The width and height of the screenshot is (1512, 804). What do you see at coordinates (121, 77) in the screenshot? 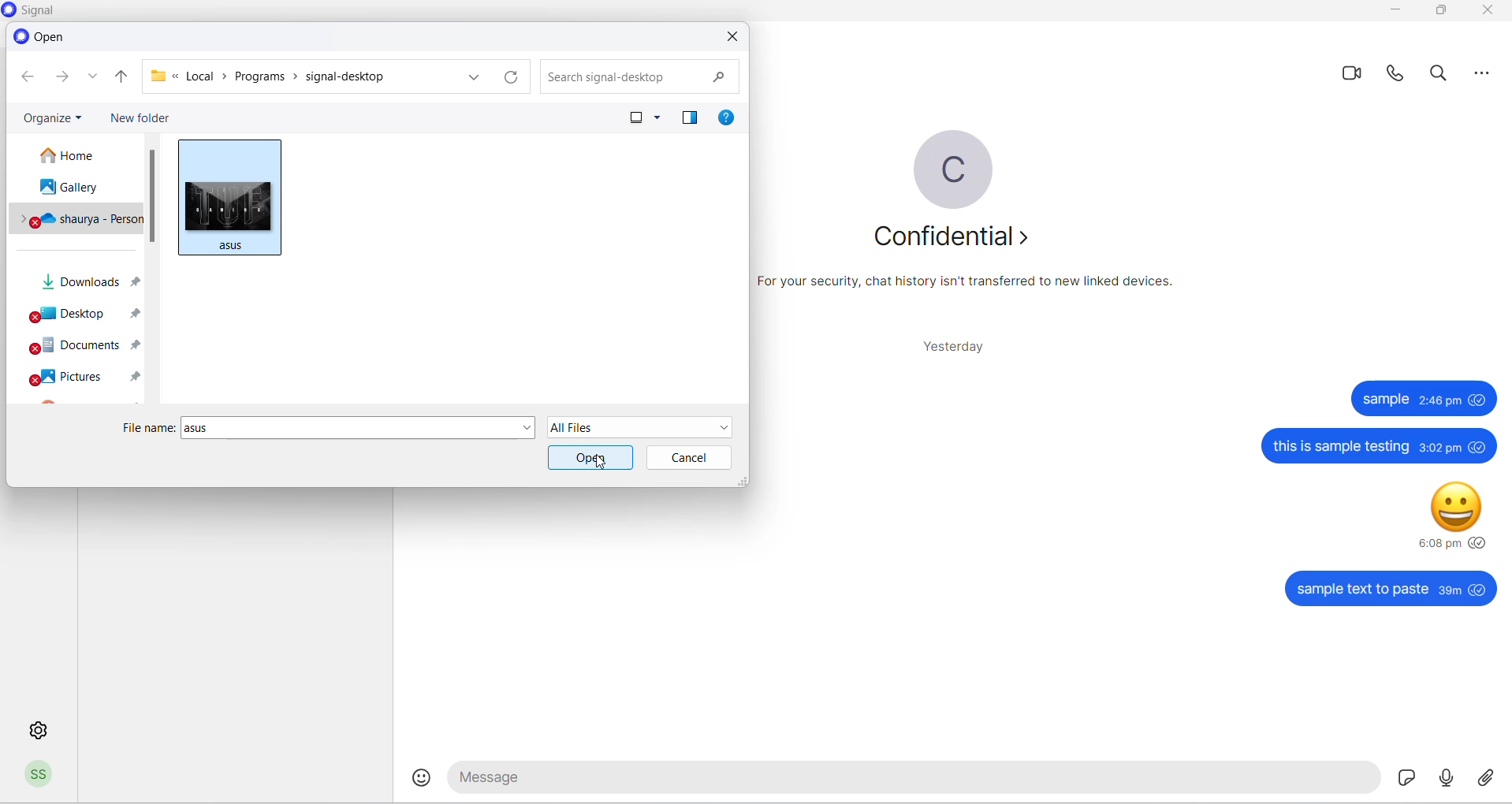
I see `up to parent folder` at bounding box center [121, 77].